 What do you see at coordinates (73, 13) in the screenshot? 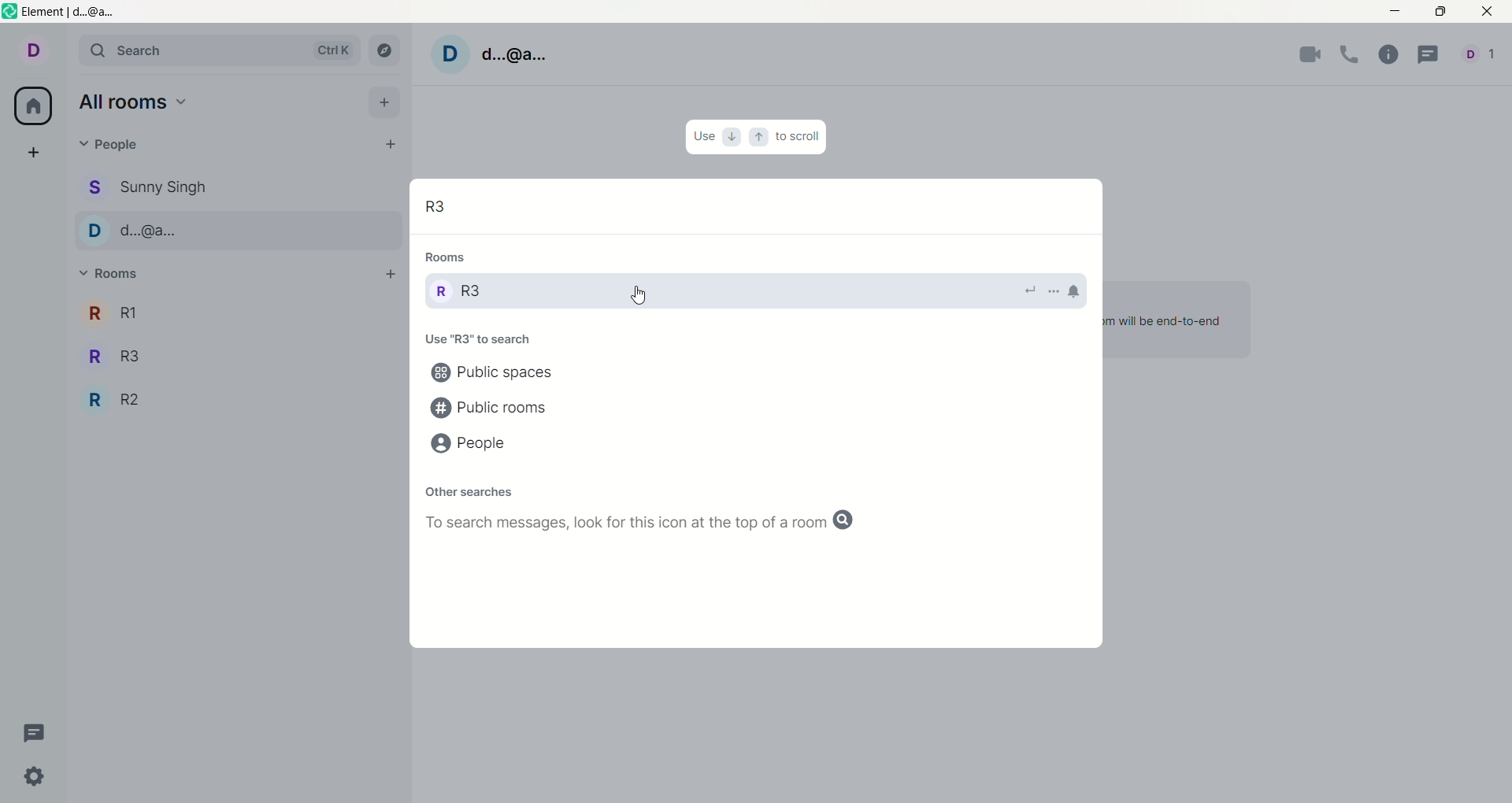
I see `element` at bounding box center [73, 13].